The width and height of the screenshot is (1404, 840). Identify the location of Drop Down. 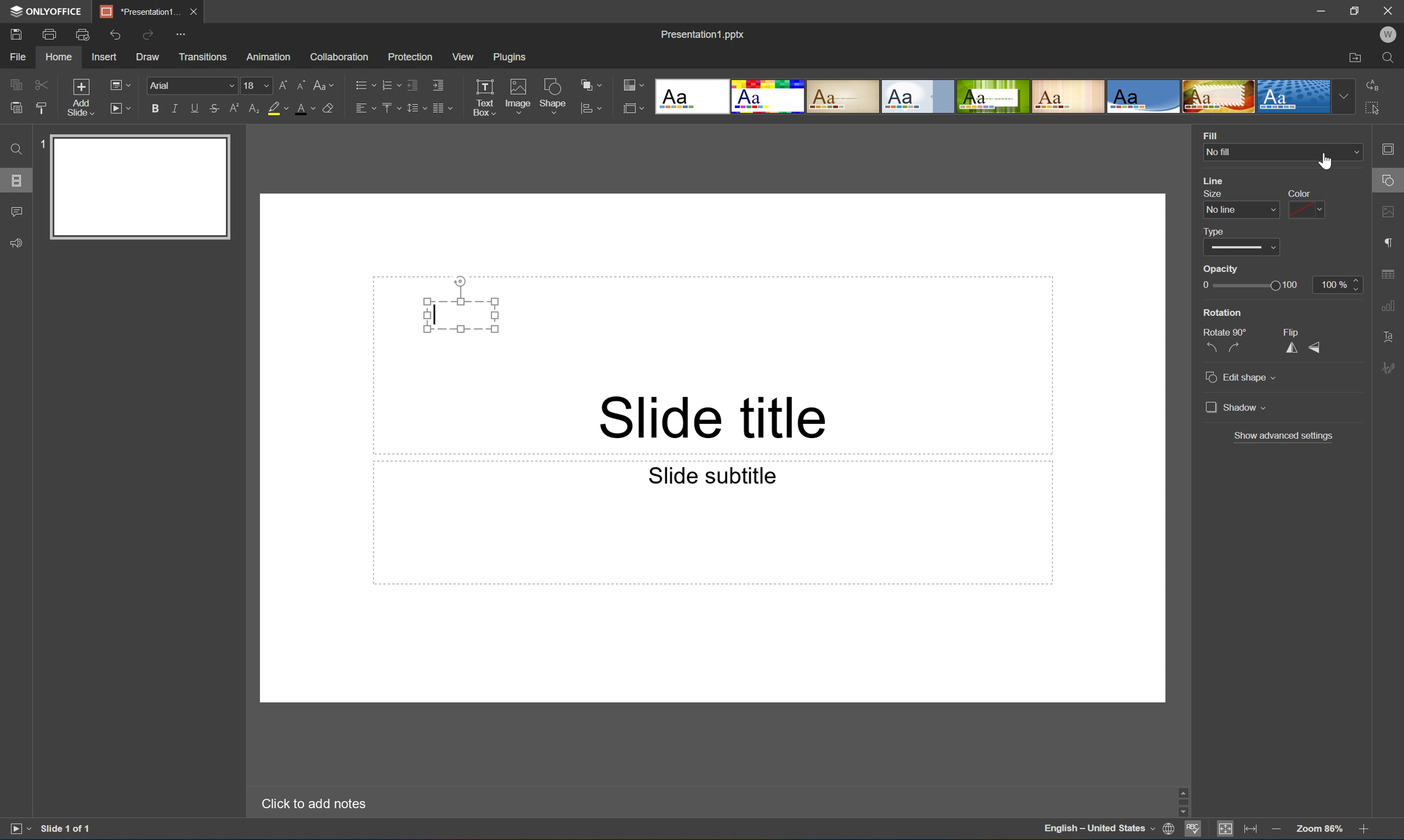
(1345, 96).